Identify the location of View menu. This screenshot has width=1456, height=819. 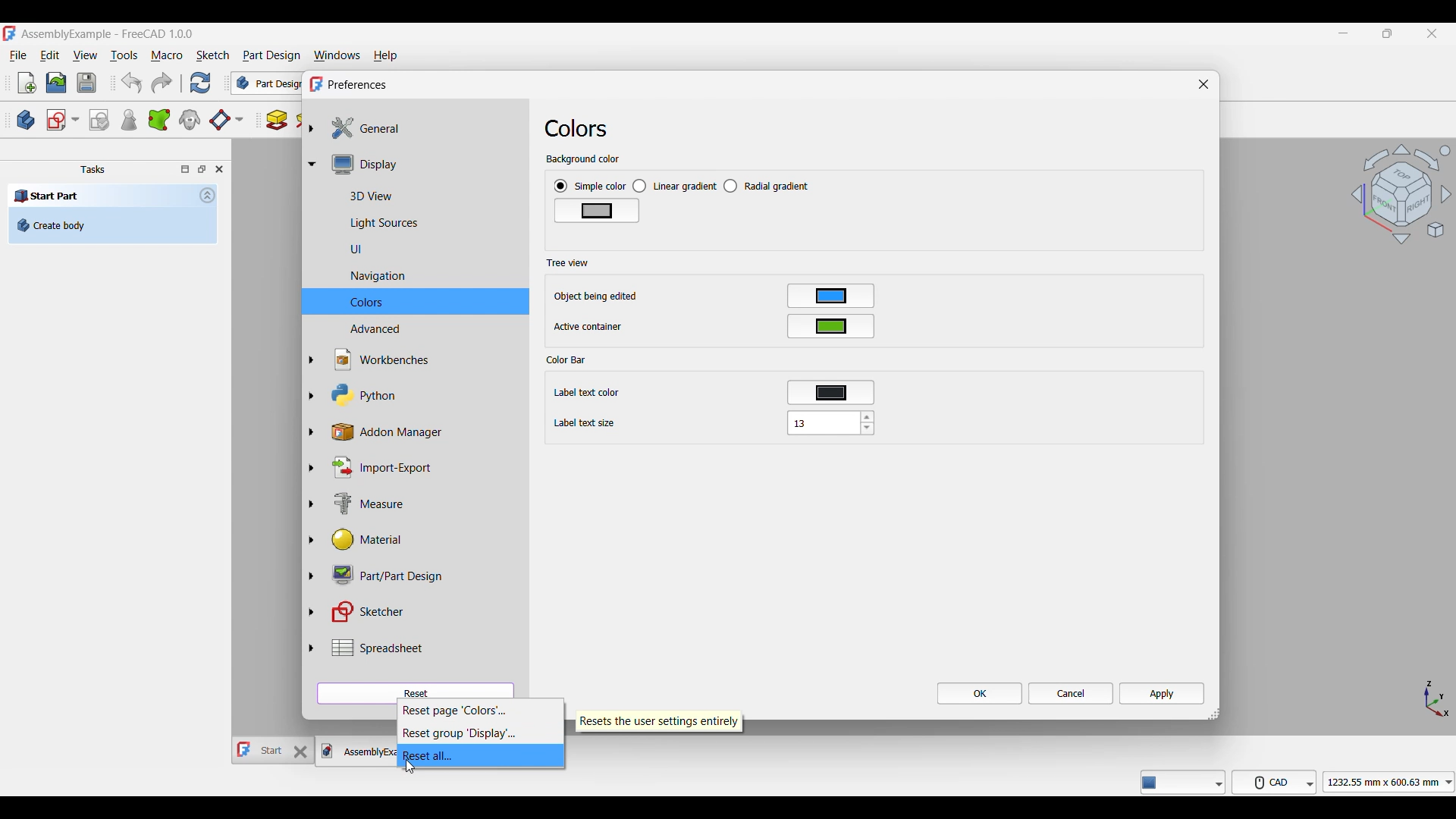
(85, 55).